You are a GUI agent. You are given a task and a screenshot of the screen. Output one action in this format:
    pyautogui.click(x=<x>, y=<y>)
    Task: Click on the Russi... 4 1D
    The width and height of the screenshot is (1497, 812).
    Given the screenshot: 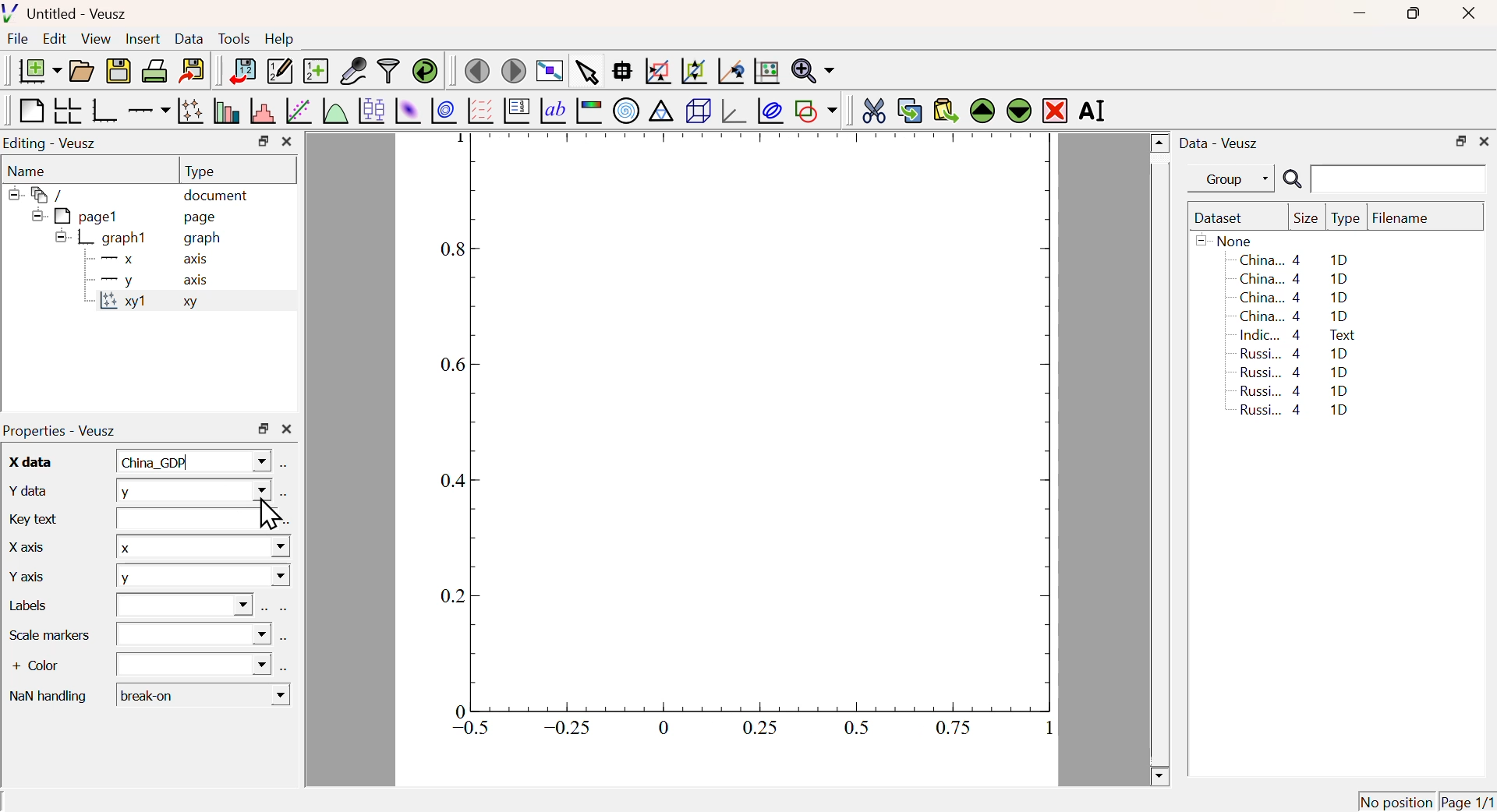 What is the action you would take?
    pyautogui.click(x=1297, y=353)
    